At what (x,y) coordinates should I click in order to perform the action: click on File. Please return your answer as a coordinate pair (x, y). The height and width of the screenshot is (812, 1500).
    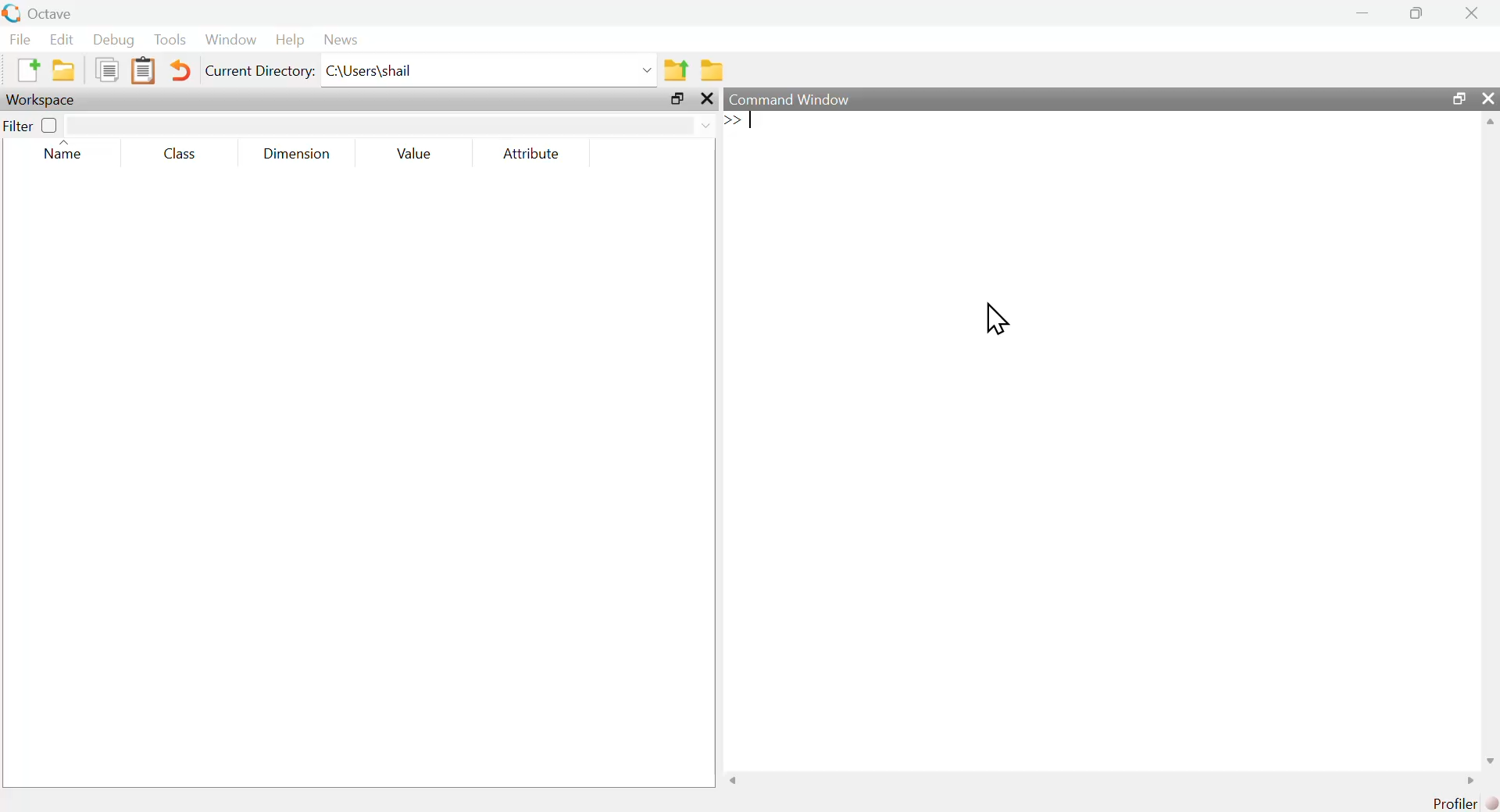
    Looking at the image, I should click on (21, 39).